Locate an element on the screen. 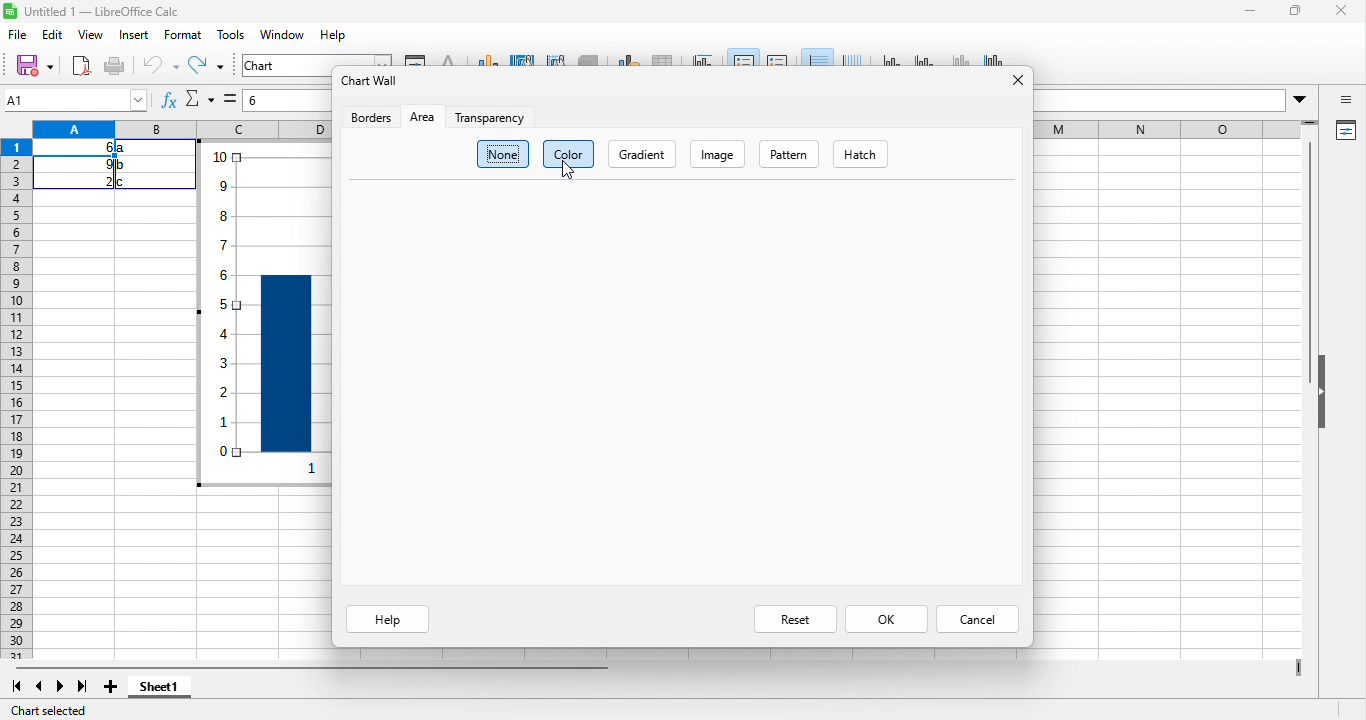  sidebar open or close is located at coordinates (1347, 101).